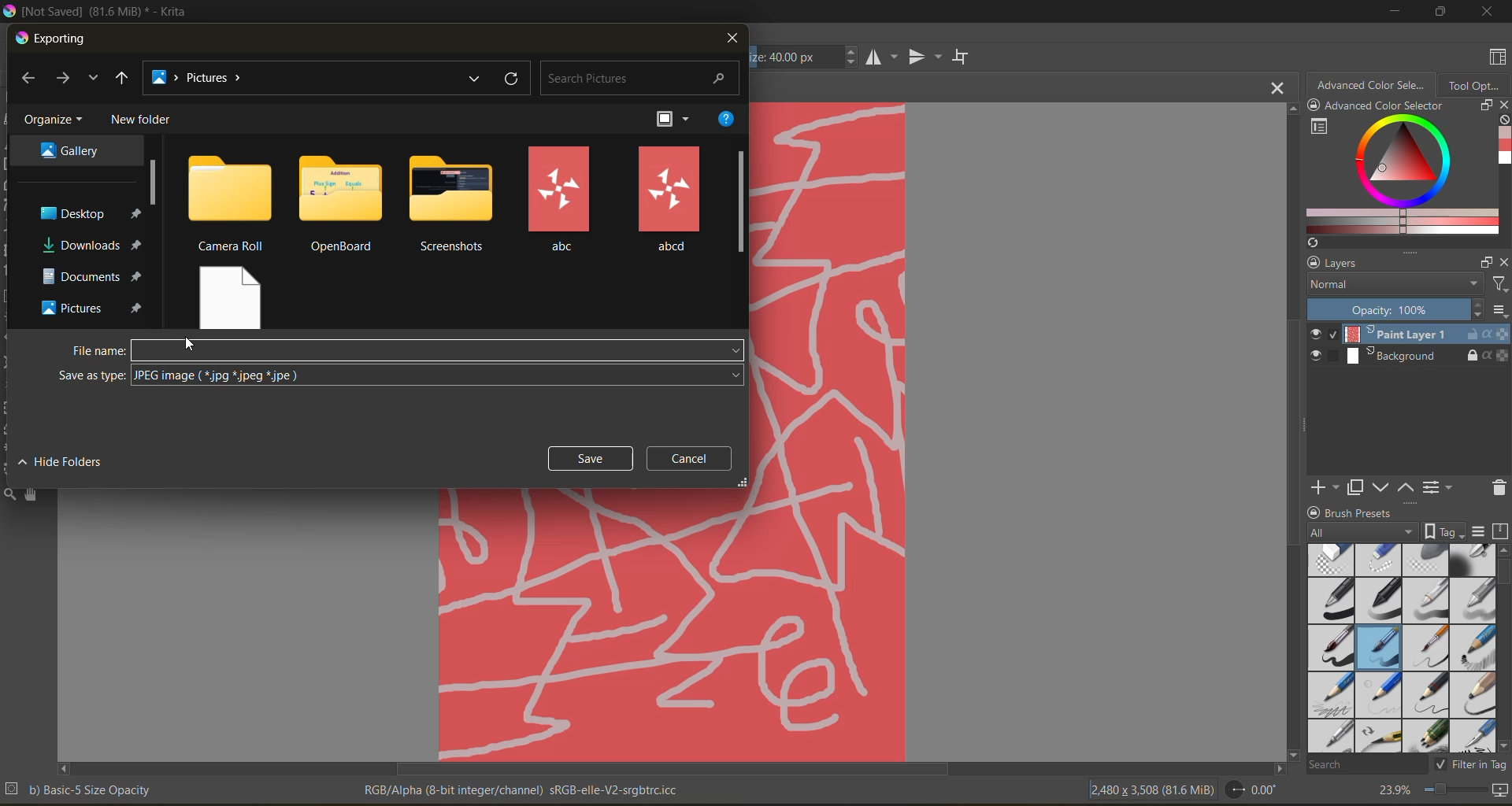  What do you see at coordinates (1392, 10) in the screenshot?
I see `minimize` at bounding box center [1392, 10].